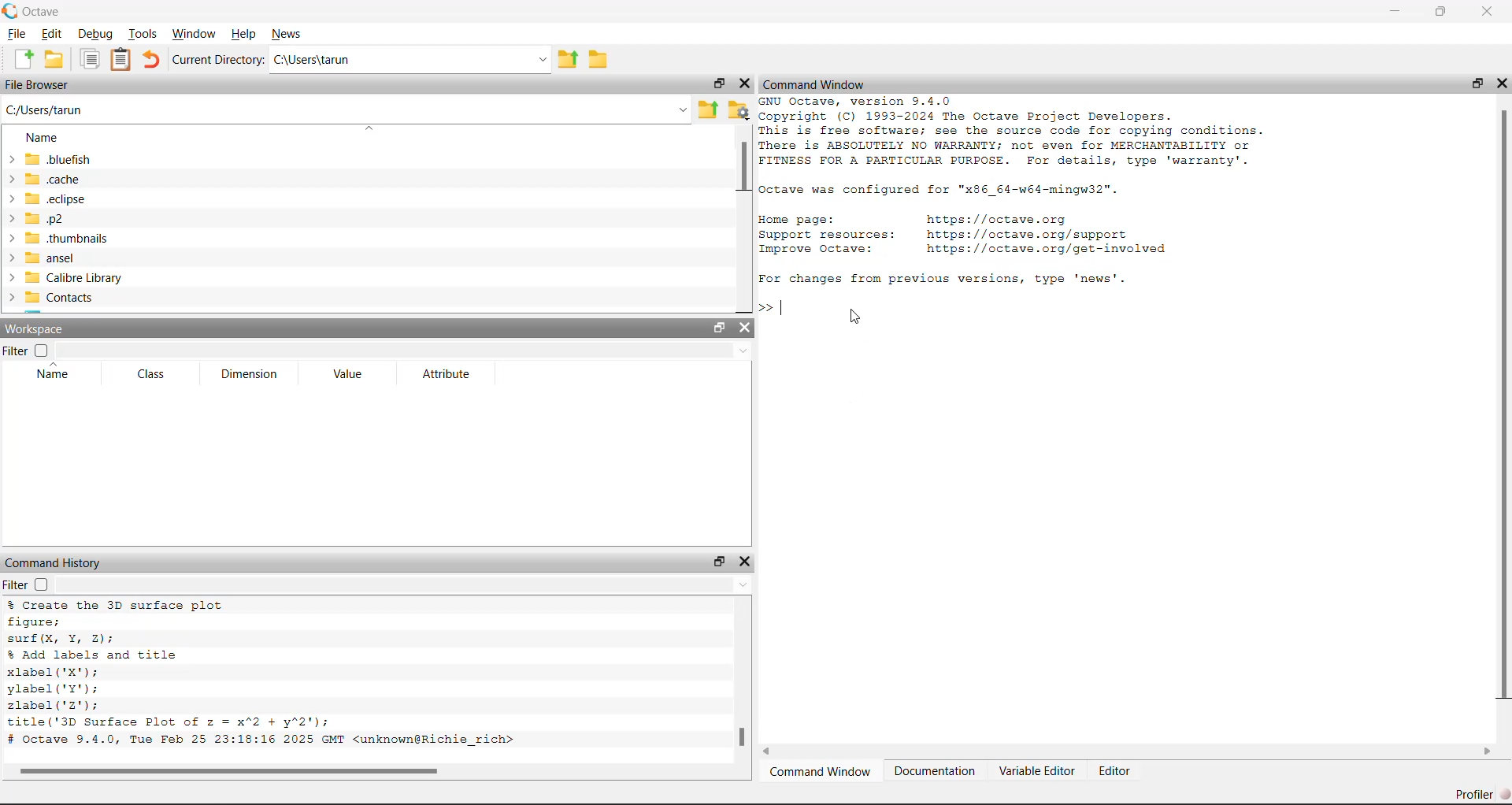  What do you see at coordinates (370, 772) in the screenshot?
I see `Scroll` at bounding box center [370, 772].